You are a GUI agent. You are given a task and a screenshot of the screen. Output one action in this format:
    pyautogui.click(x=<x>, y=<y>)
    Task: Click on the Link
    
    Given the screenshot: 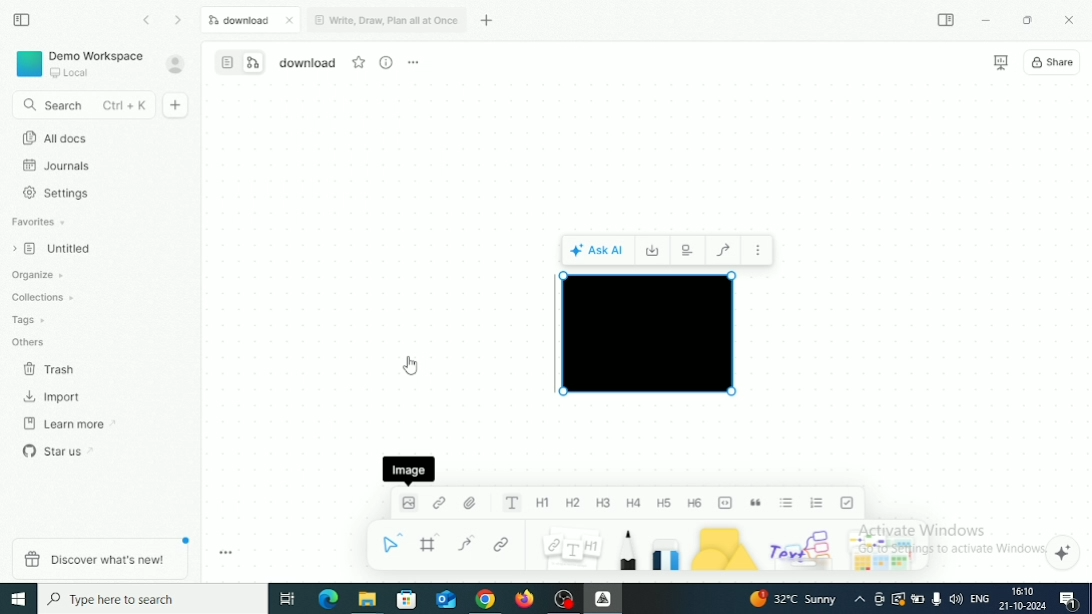 What is the action you would take?
    pyautogui.click(x=502, y=546)
    